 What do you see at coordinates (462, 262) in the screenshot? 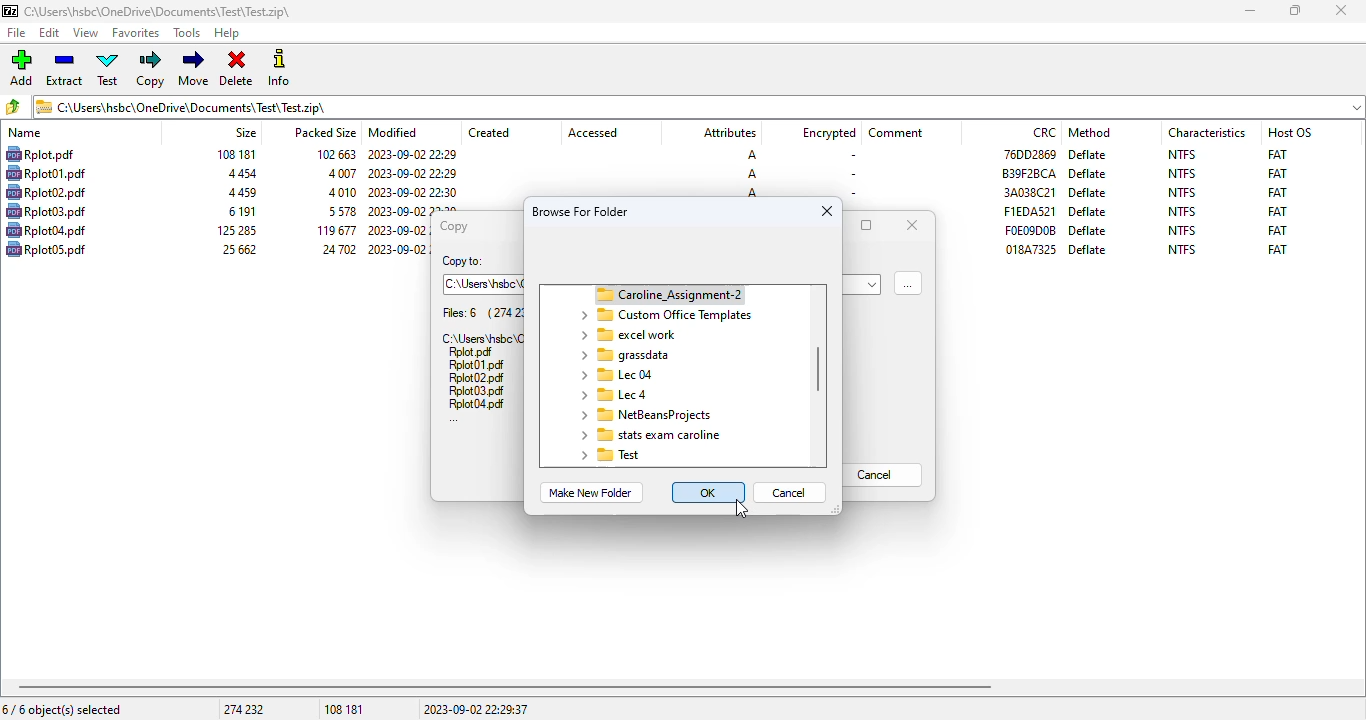
I see `copy to: ` at bounding box center [462, 262].